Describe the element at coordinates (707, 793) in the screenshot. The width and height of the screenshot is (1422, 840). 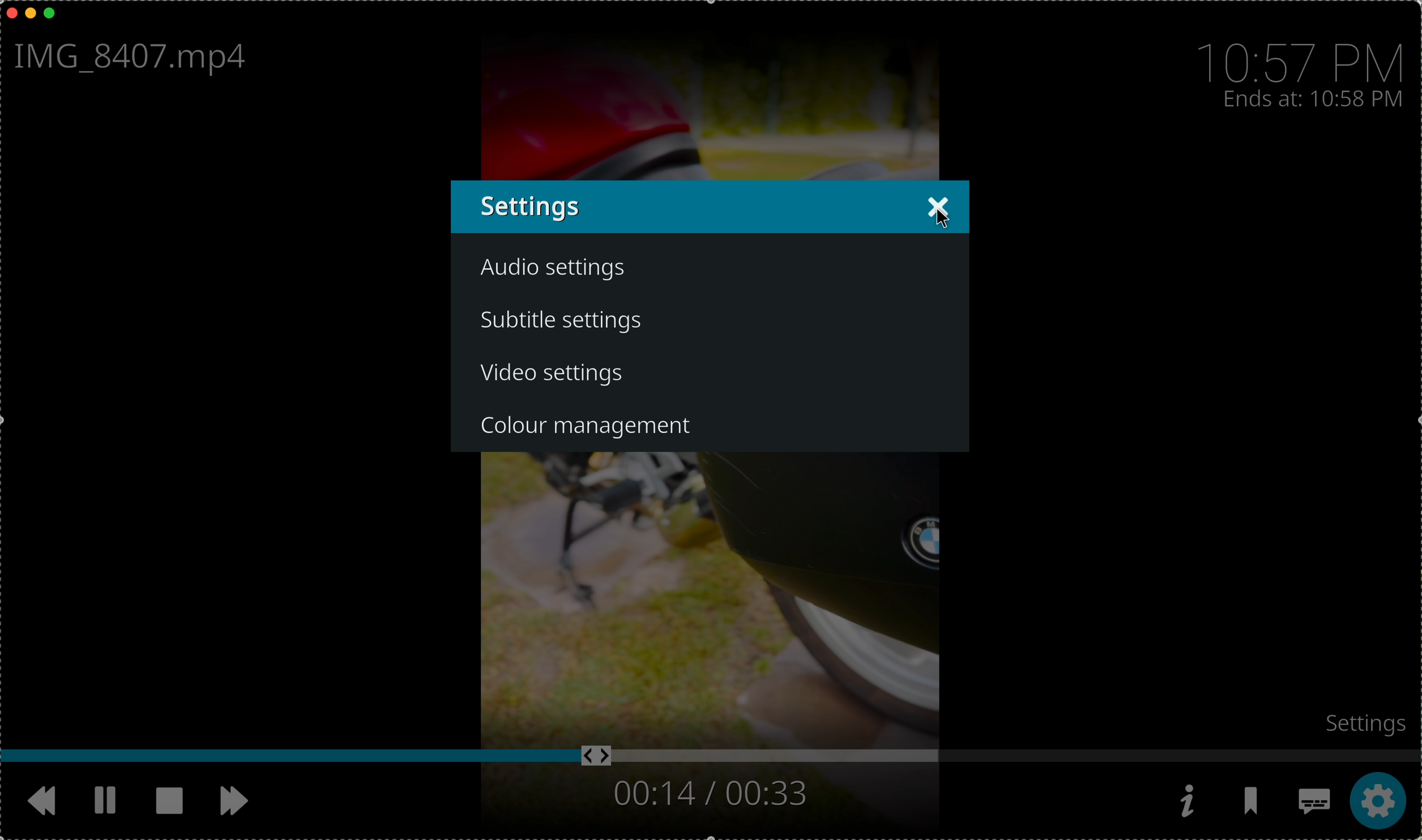
I see `00:14/00:33` at that location.